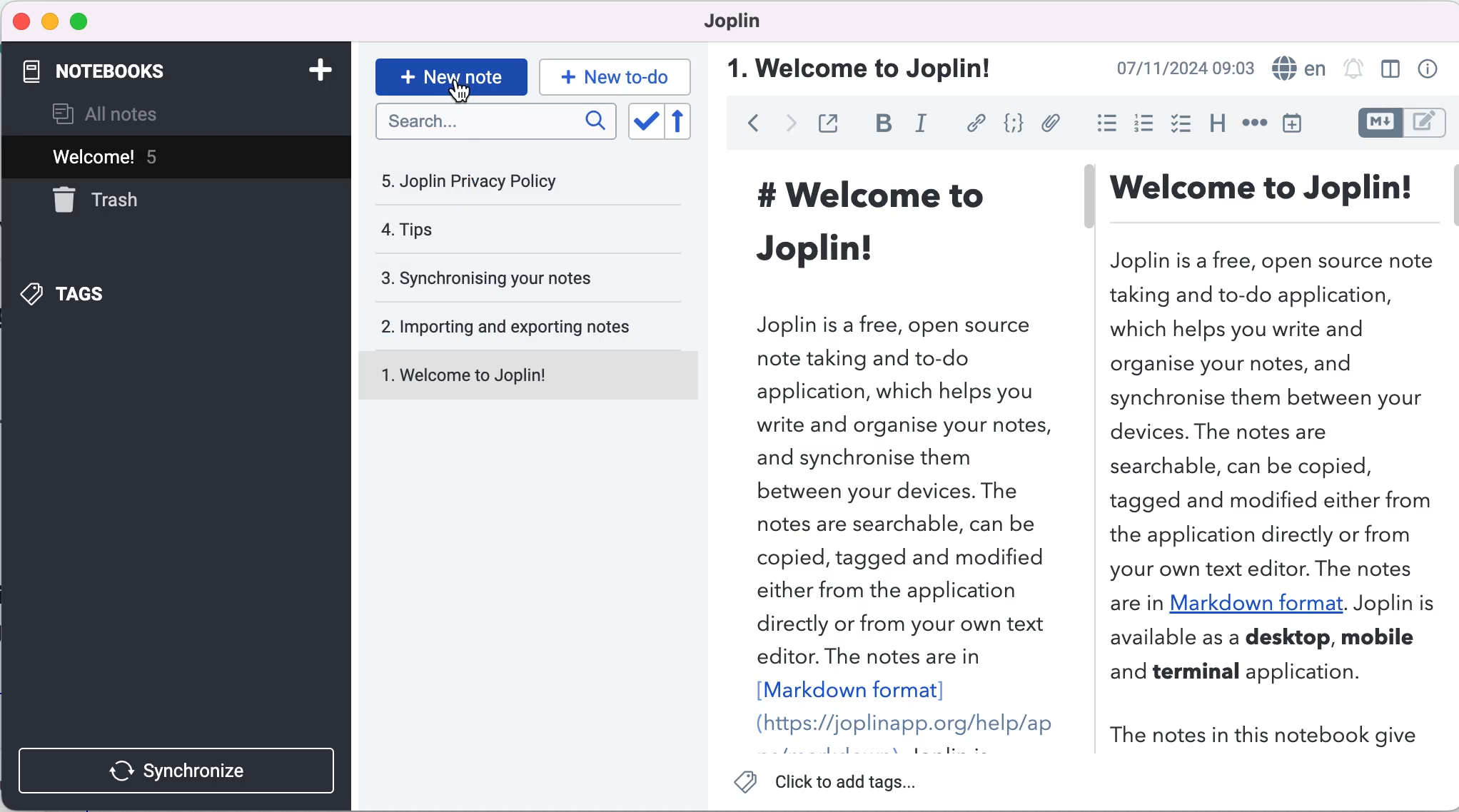 This screenshot has height=812, width=1459. Describe the element at coordinates (124, 113) in the screenshot. I see `all notes` at that location.